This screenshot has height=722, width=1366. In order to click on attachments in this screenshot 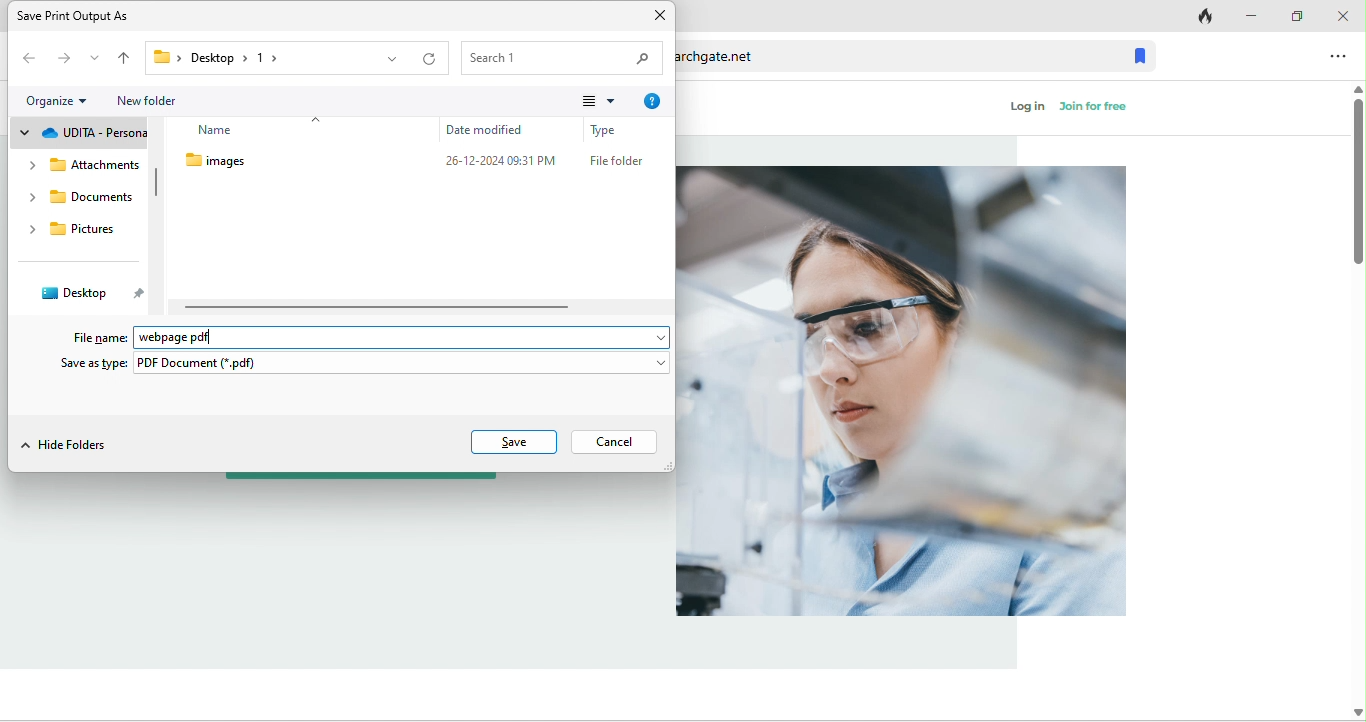, I will do `click(82, 167)`.